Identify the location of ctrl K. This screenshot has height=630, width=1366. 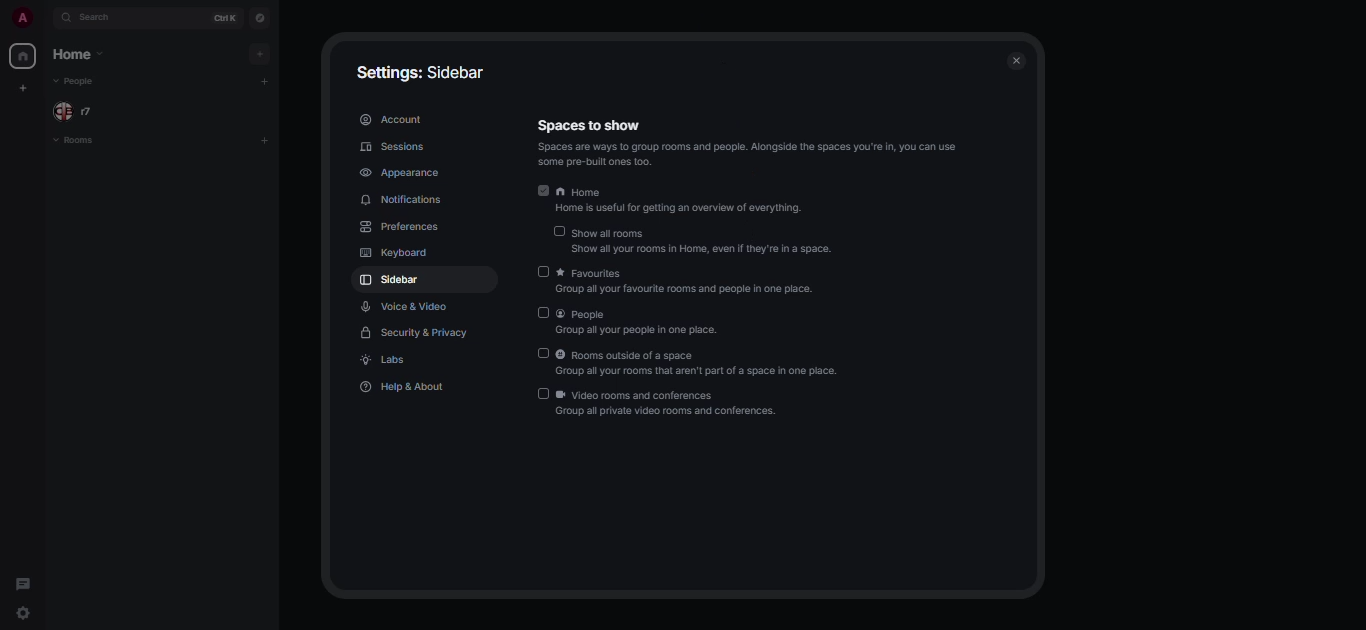
(221, 18).